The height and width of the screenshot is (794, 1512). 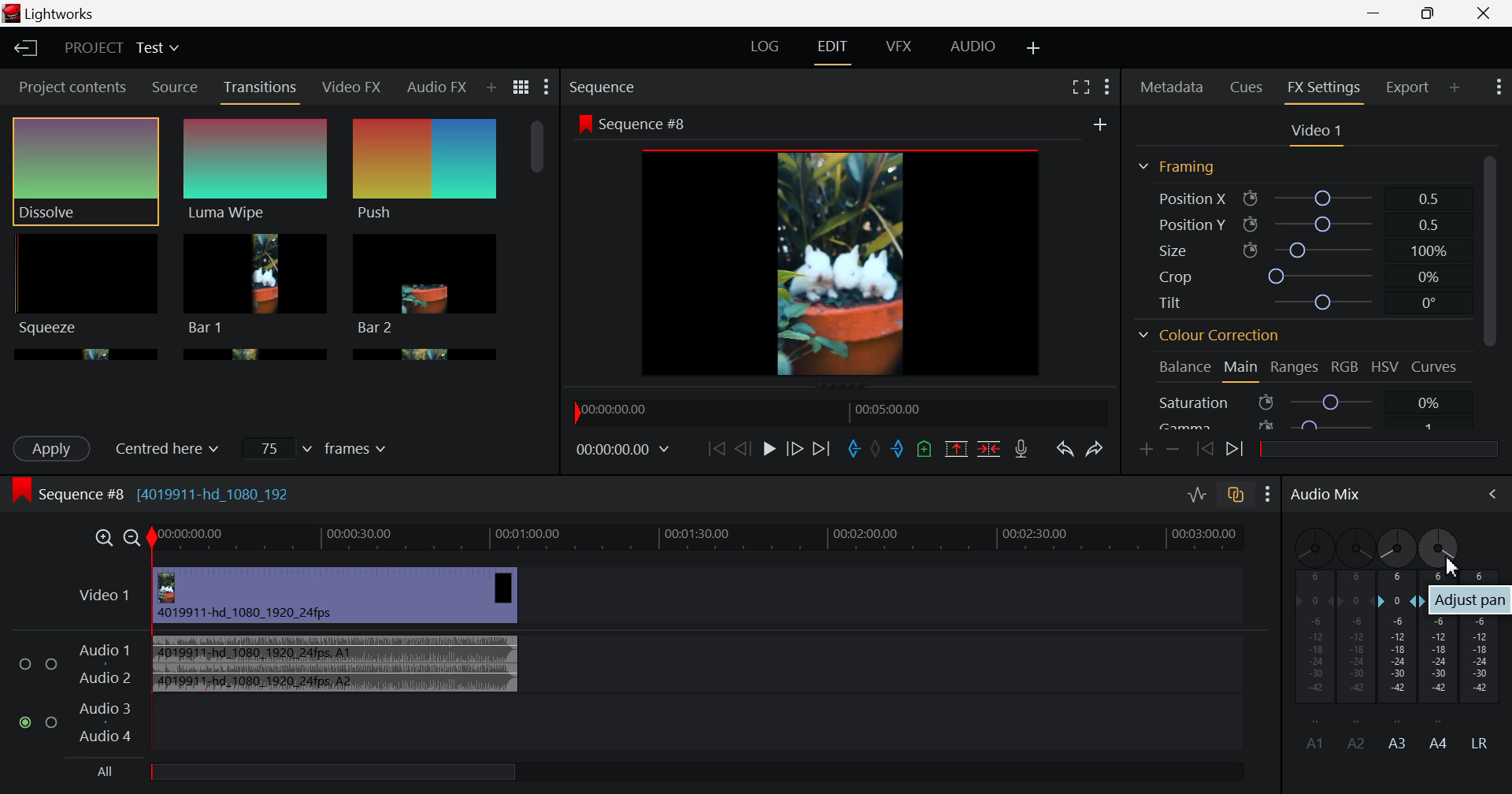 What do you see at coordinates (1196, 497) in the screenshot?
I see `Toggle audio levels editing` at bounding box center [1196, 497].